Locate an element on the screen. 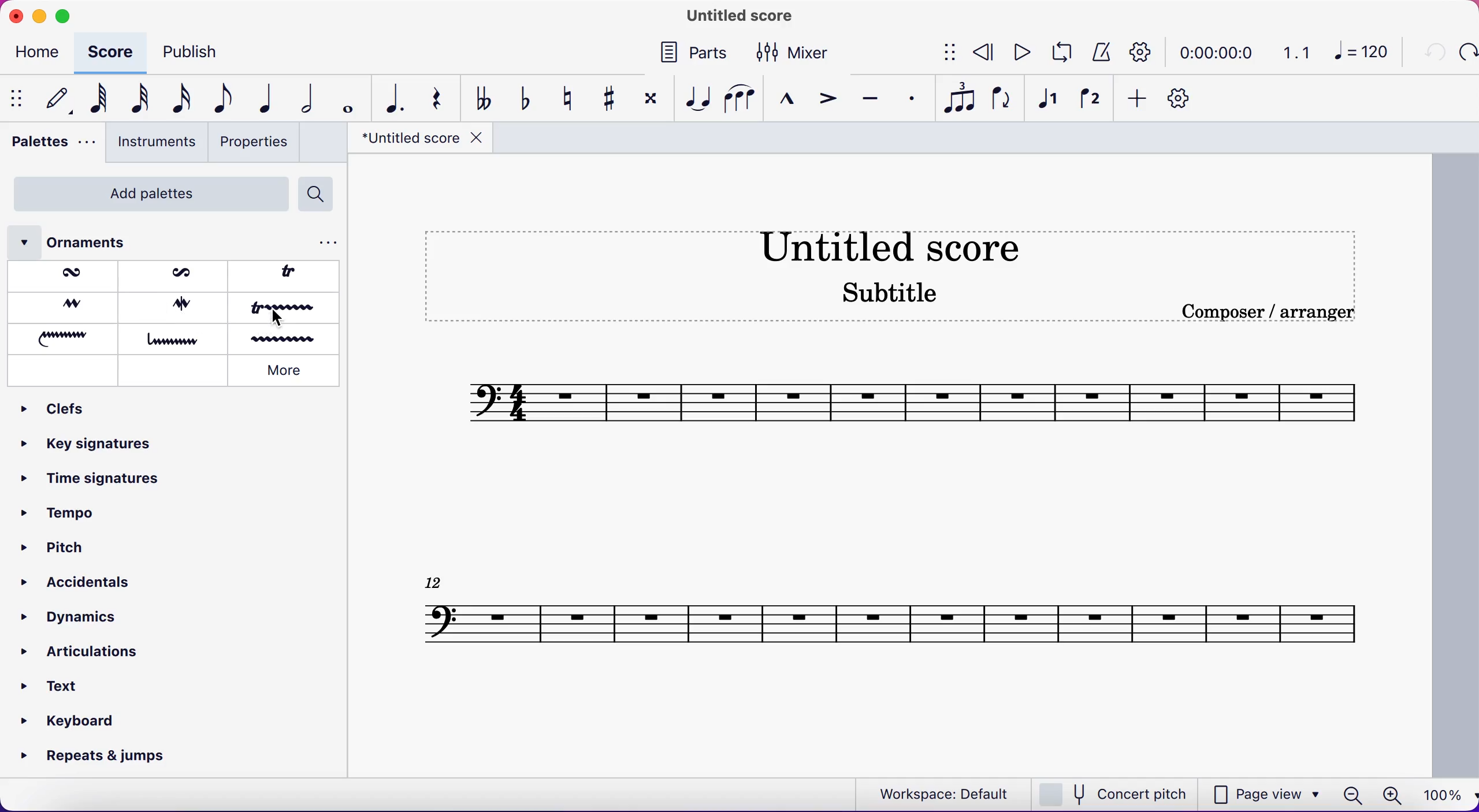 The width and height of the screenshot is (1479, 812). time is located at coordinates (1220, 52).